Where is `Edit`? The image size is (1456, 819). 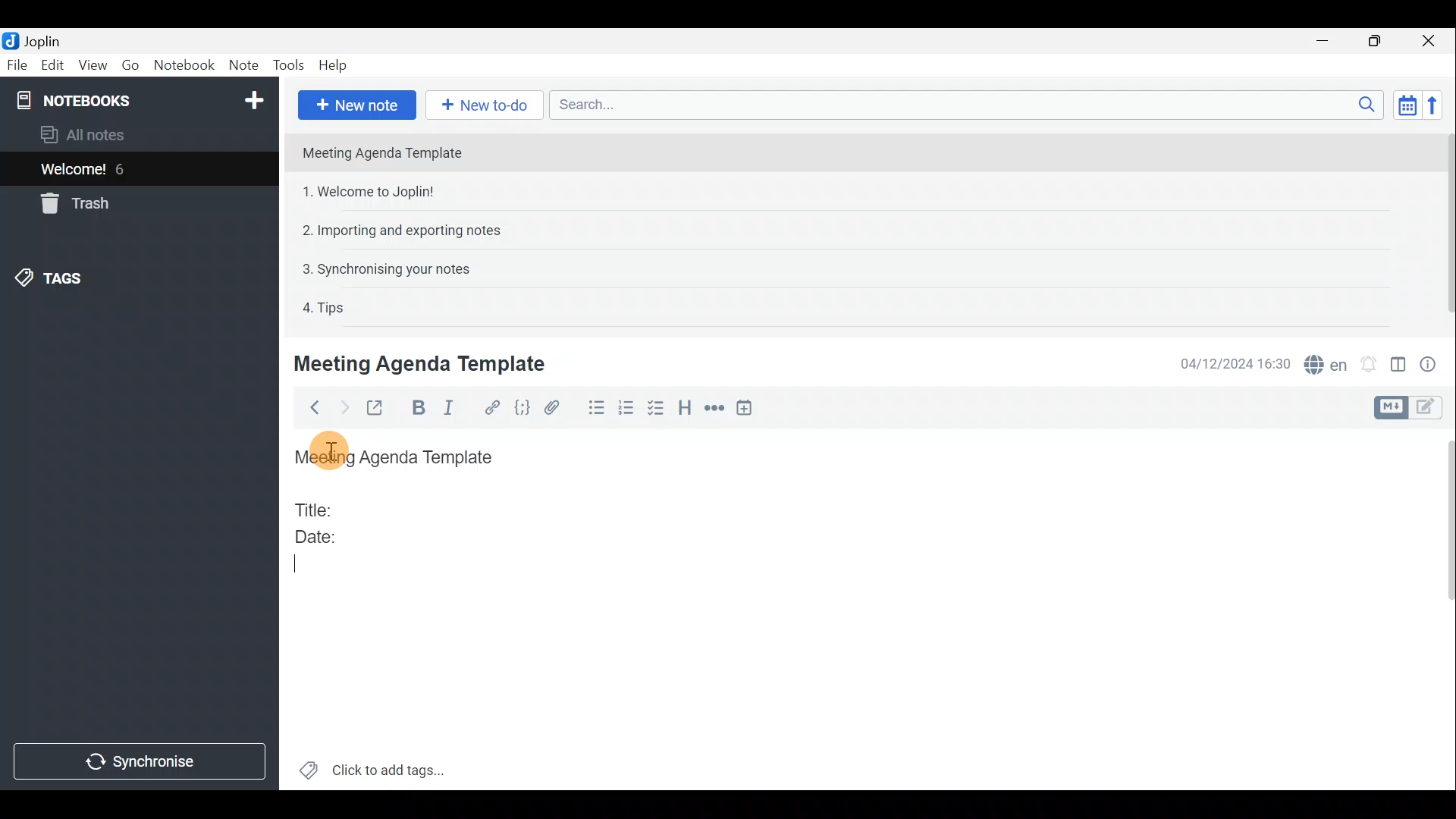 Edit is located at coordinates (53, 67).